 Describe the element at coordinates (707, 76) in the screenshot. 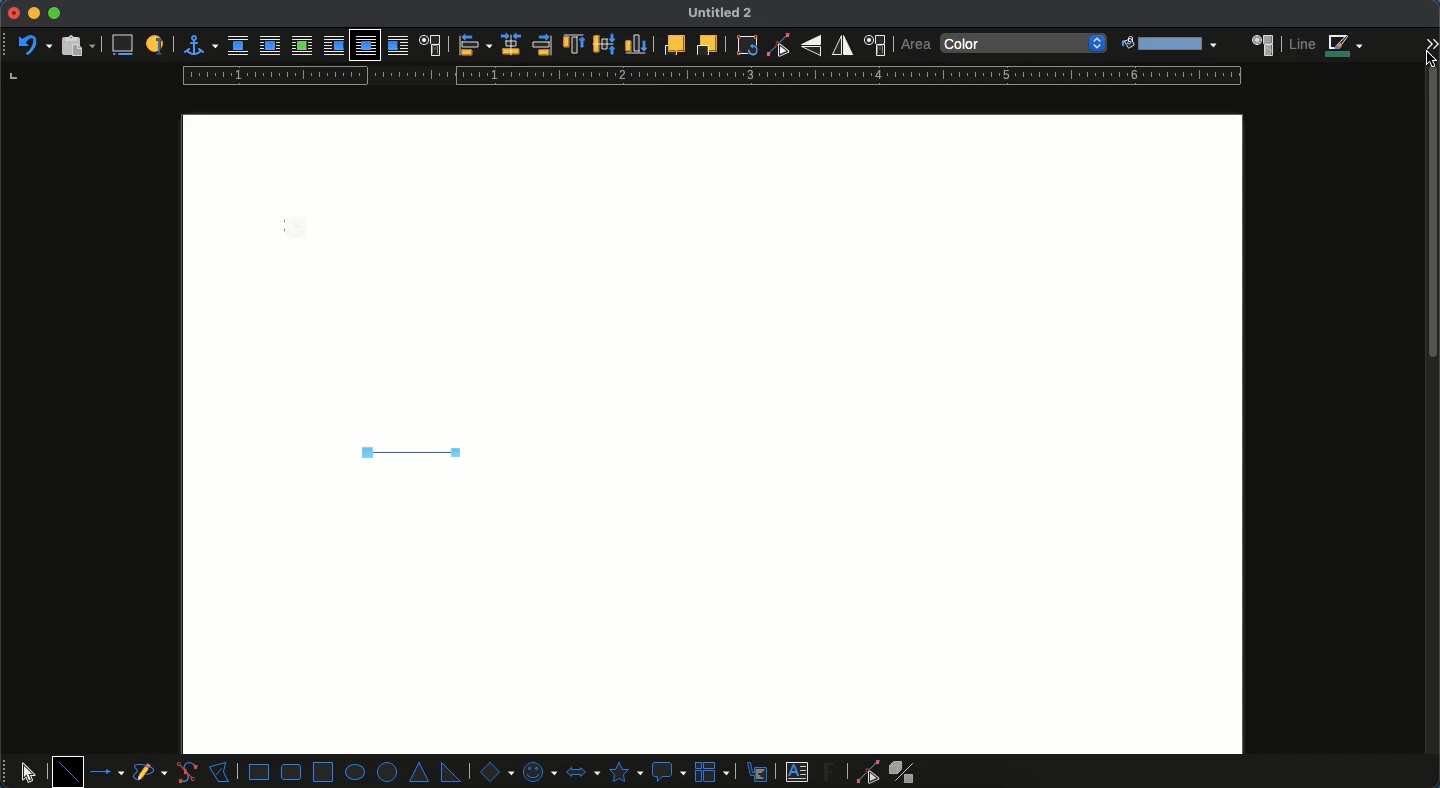

I see `ruler` at that location.